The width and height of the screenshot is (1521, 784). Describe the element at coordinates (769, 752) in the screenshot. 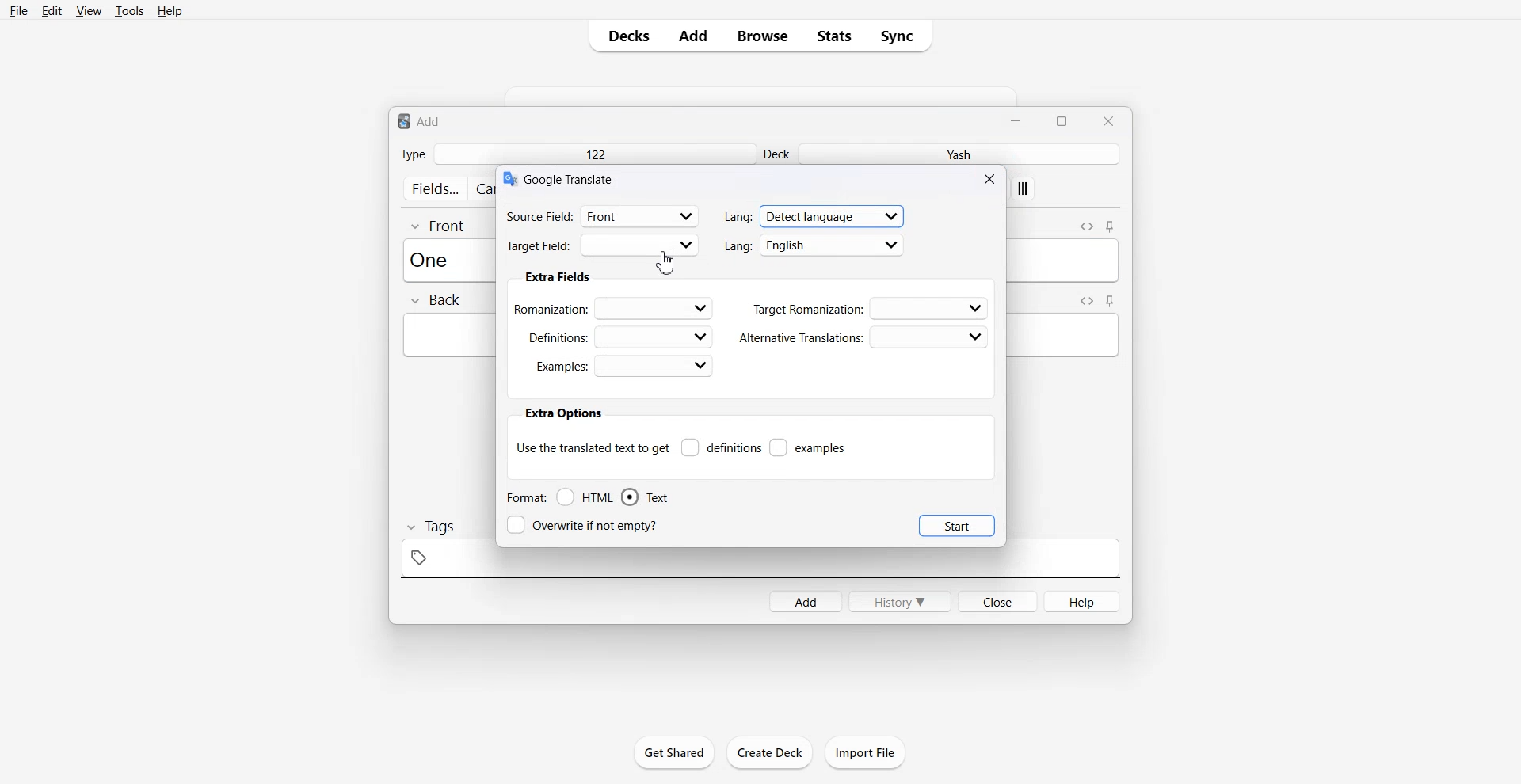

I see `Create Deck` at that location.